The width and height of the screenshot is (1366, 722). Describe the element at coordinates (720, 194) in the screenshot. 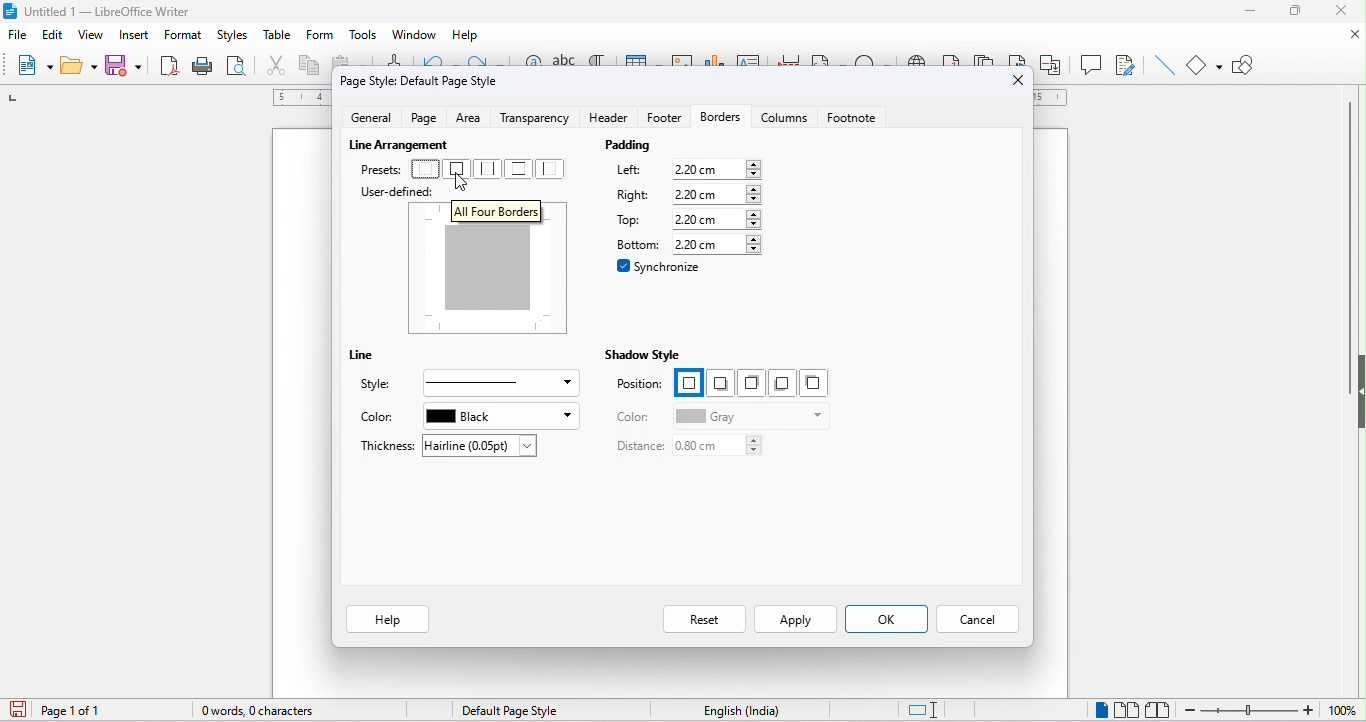

I see `2.20 cm` at that location.